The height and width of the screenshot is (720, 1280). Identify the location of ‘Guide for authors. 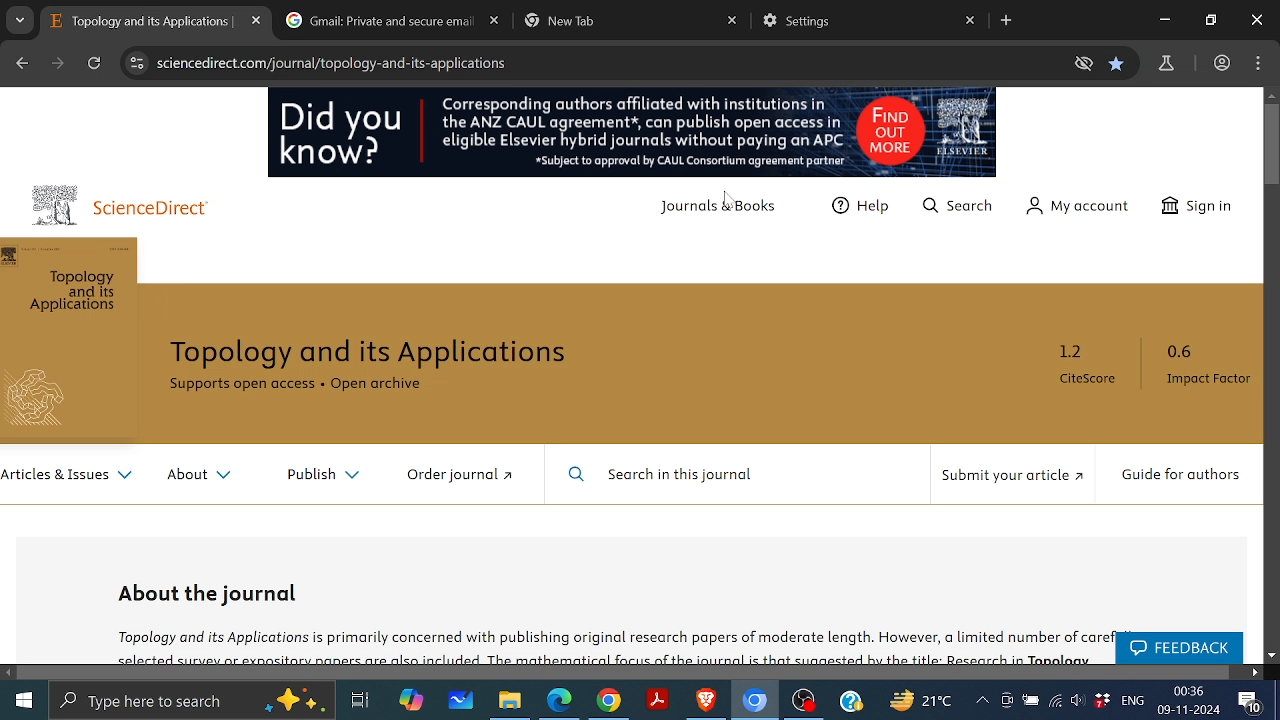
(1179, 475).